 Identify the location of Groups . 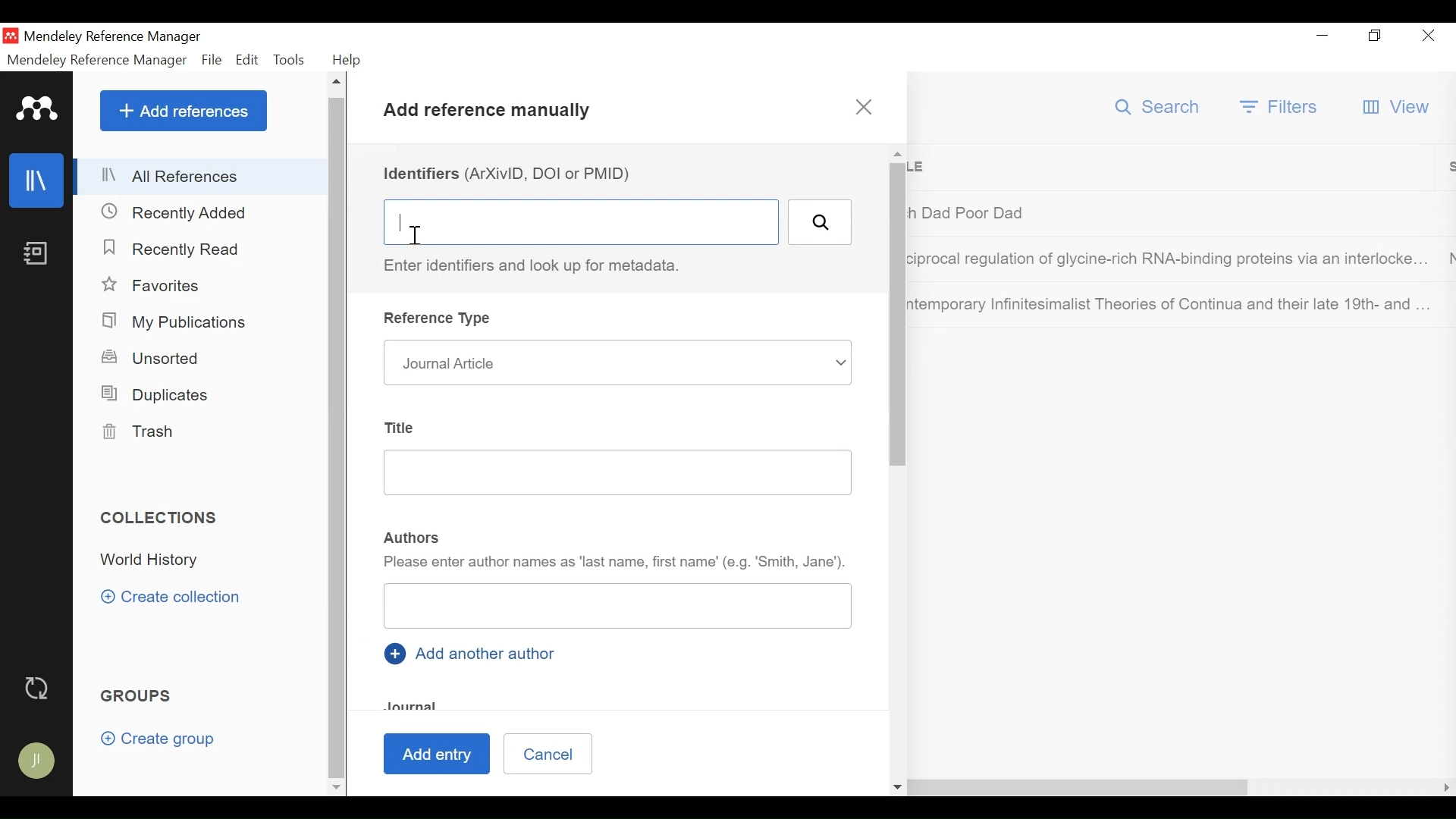
(137, 697).